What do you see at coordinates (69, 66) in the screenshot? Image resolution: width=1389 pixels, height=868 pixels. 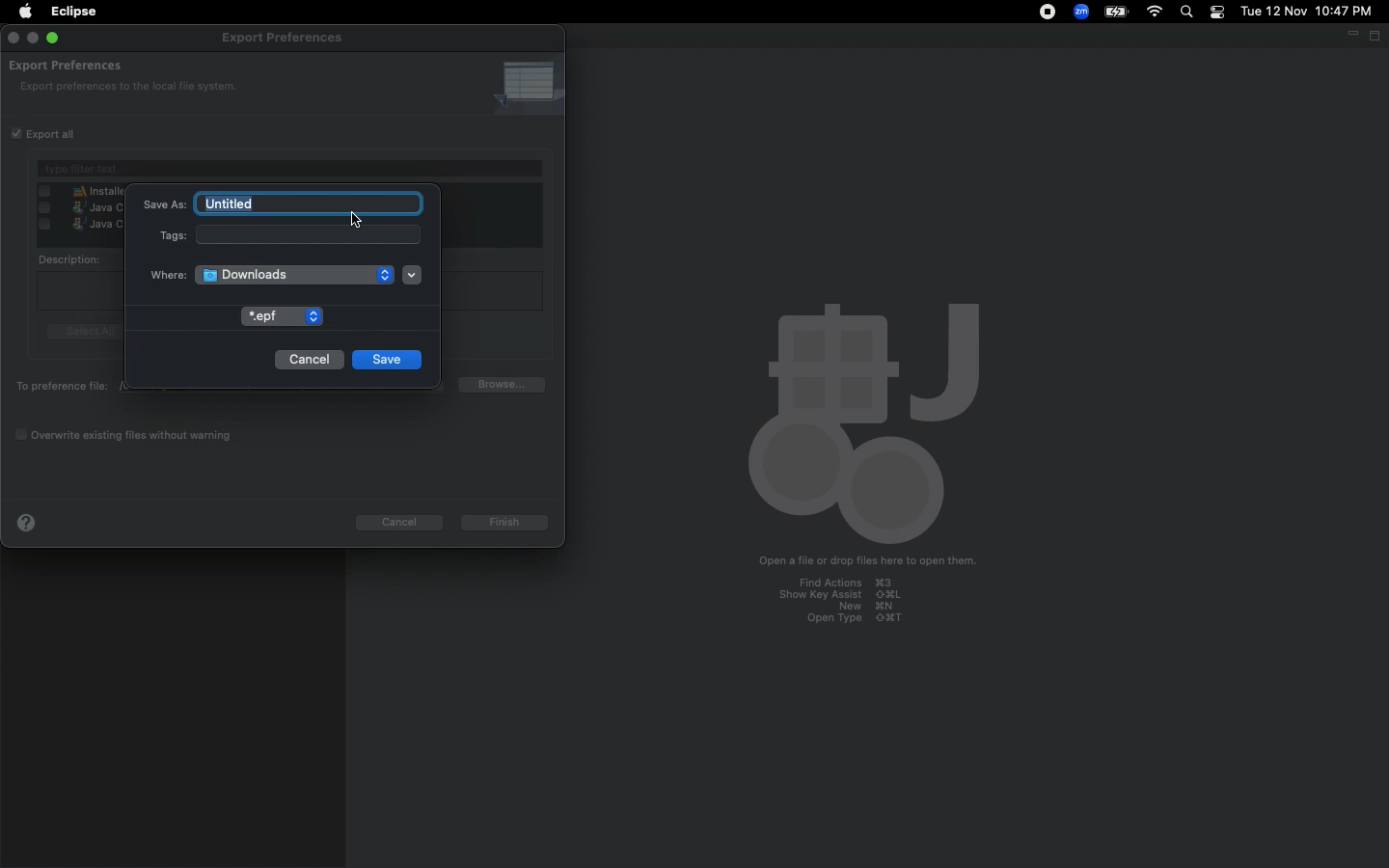 I see `Export preferences` at bounding box center [69, 66].